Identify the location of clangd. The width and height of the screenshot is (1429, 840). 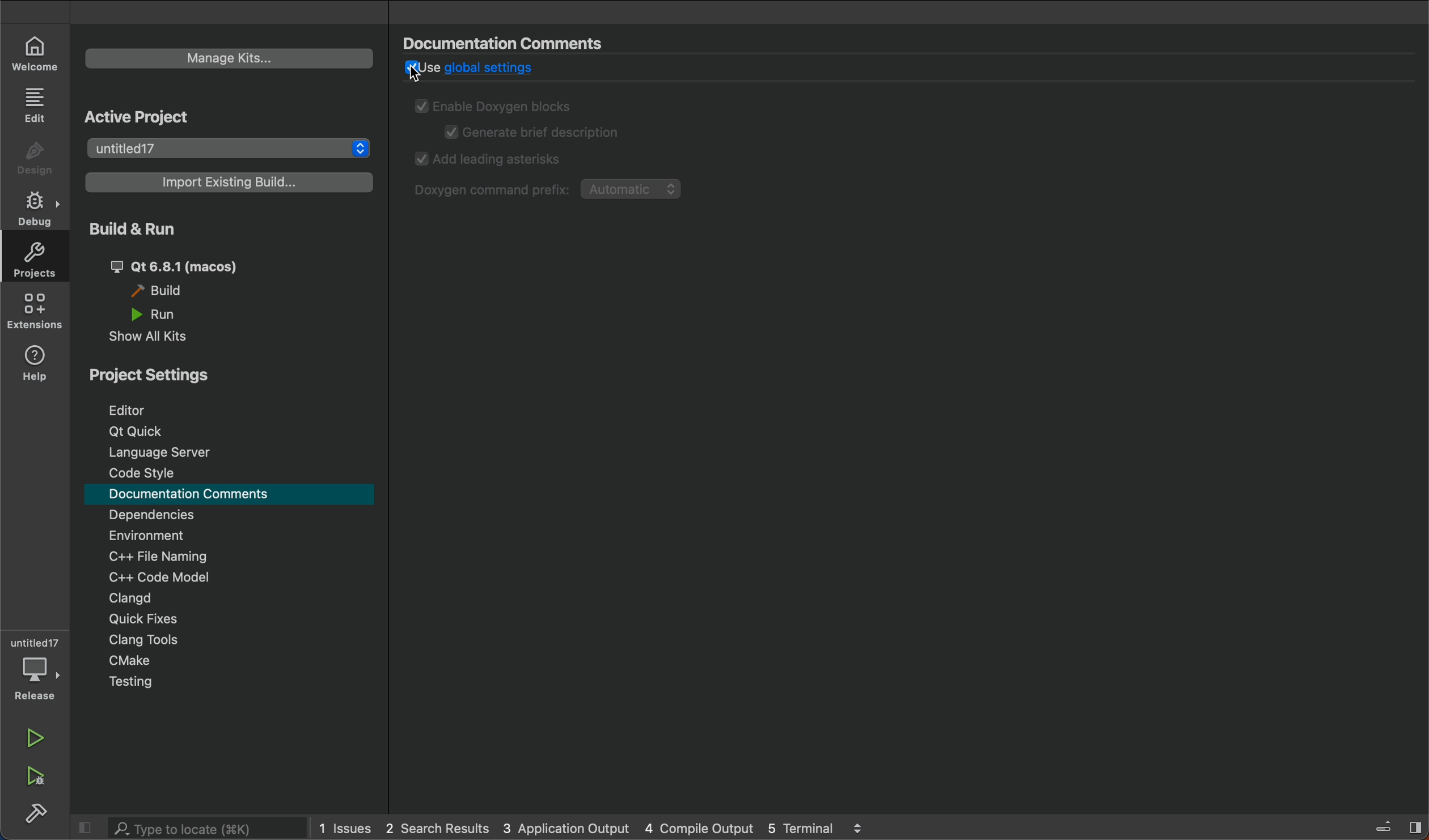
(125, 599).